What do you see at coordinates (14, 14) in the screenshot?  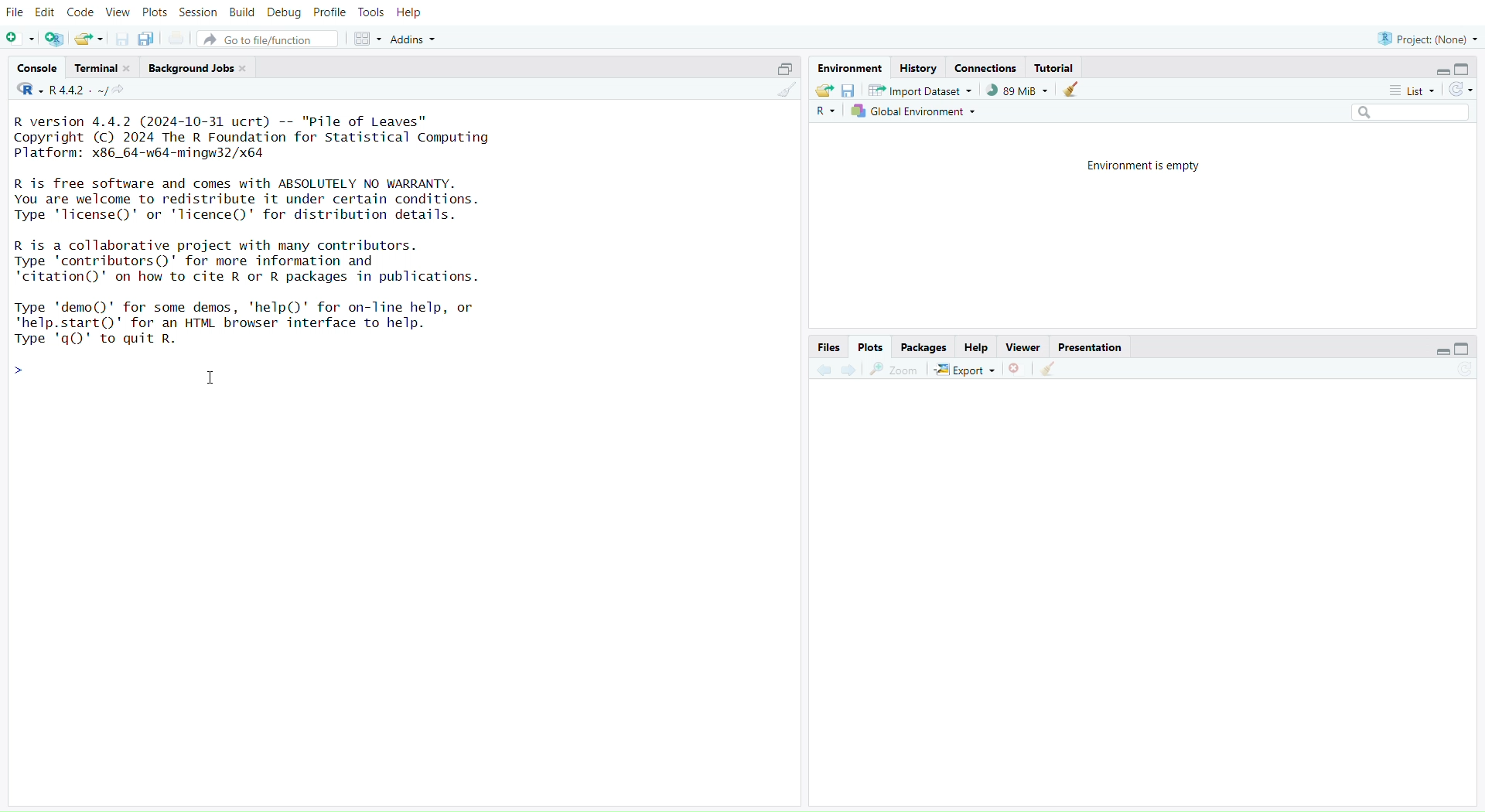 I see `File` at bounding box center [14, 14].